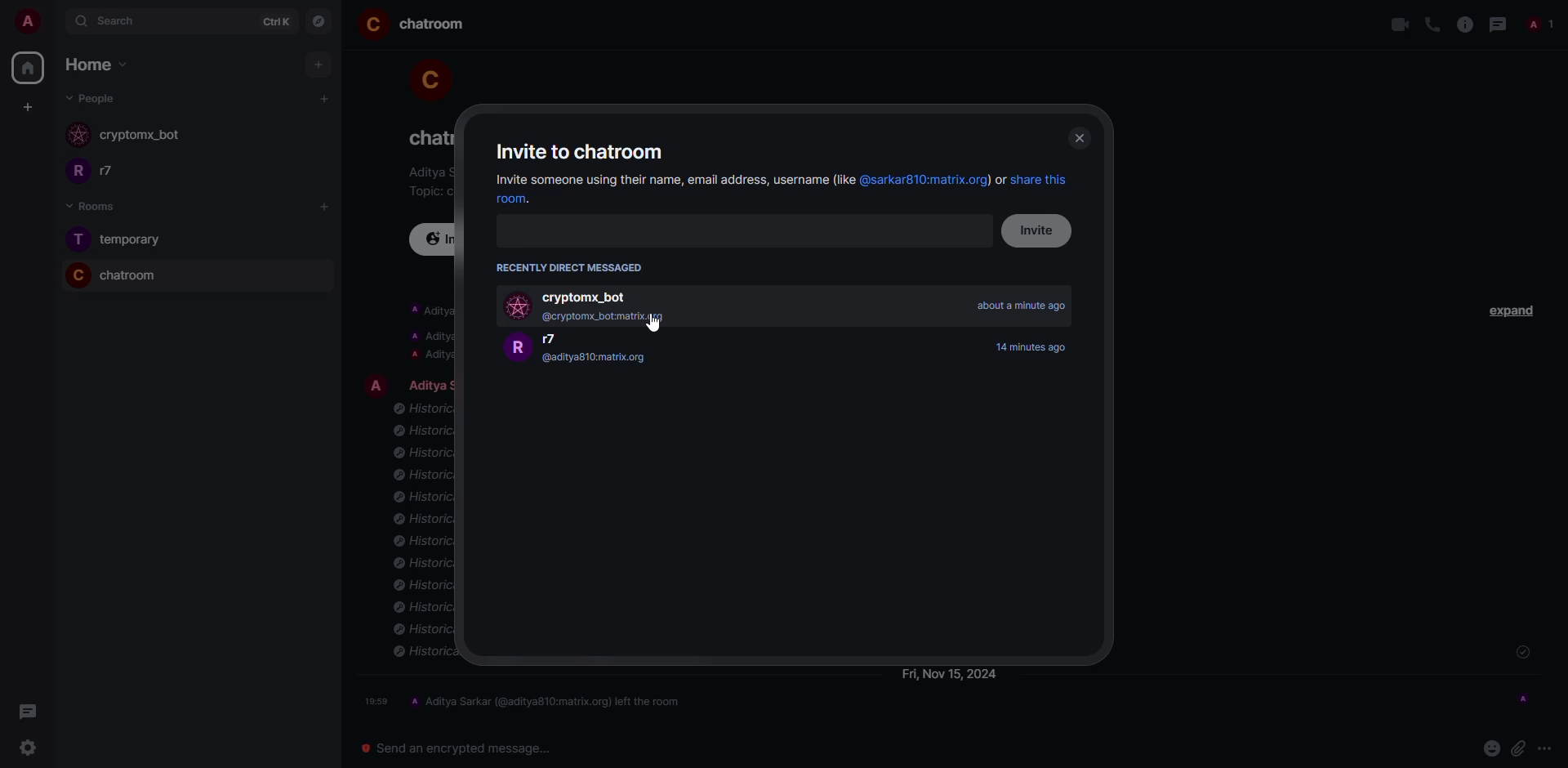 The height and width of the screenshot is (768, 1568). Describe the element at coordinates (421, 534) in the screenshot. I see `info` at that location.